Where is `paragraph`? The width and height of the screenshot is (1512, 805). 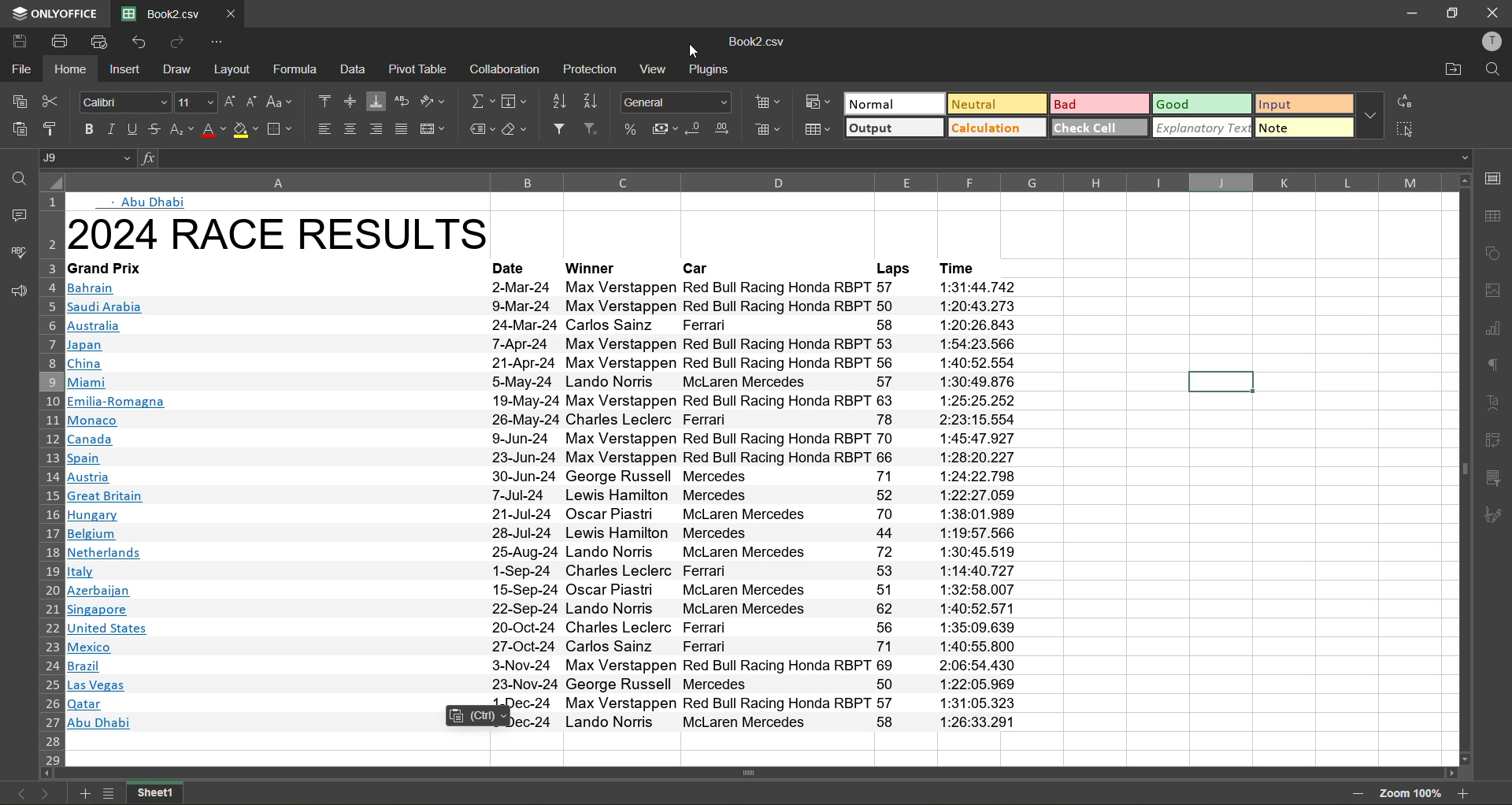 paragraph is located at coordinates (1492, 368).